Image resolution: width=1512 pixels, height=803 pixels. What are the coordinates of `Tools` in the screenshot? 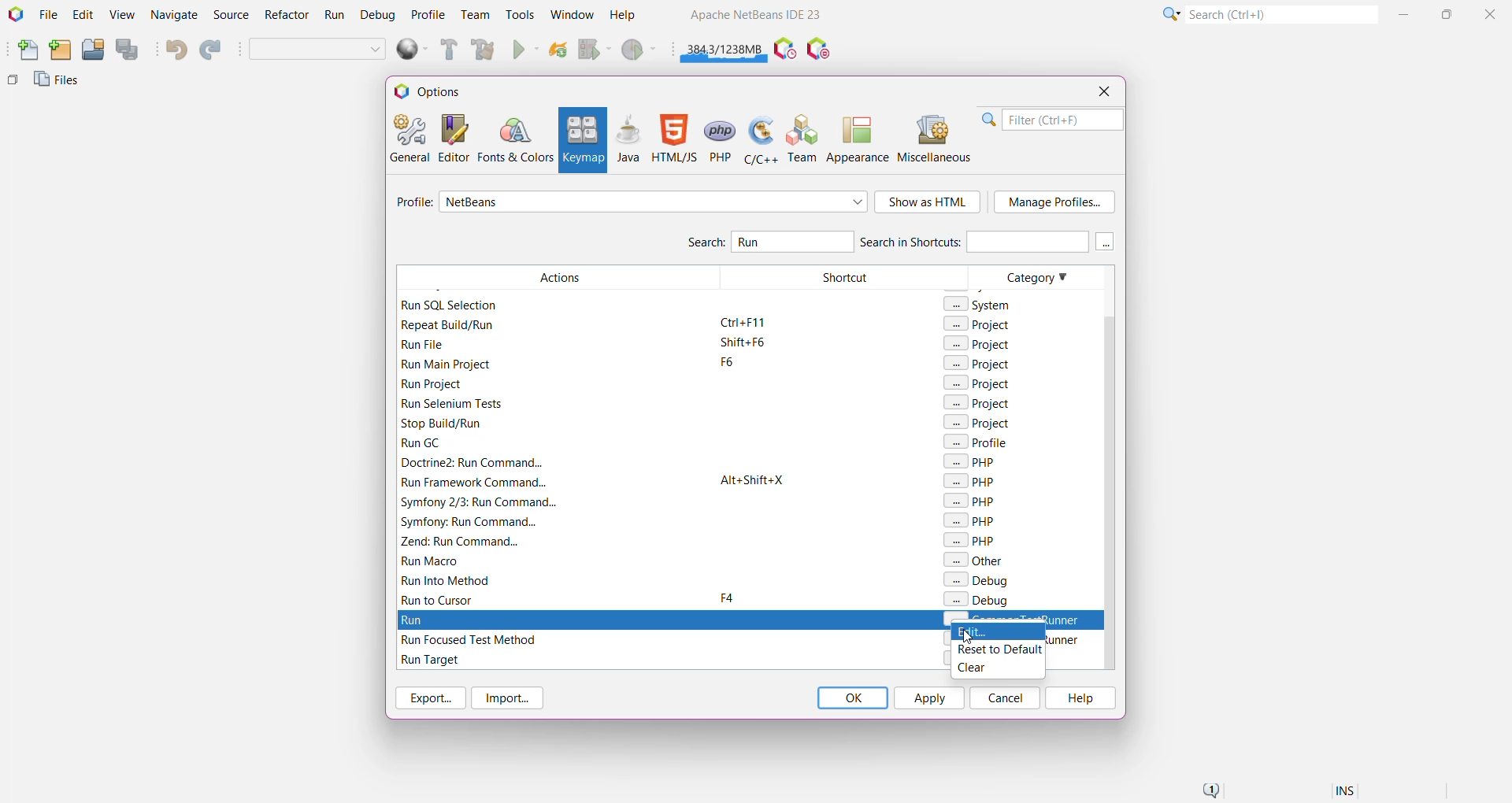 It's located at (521, 13).